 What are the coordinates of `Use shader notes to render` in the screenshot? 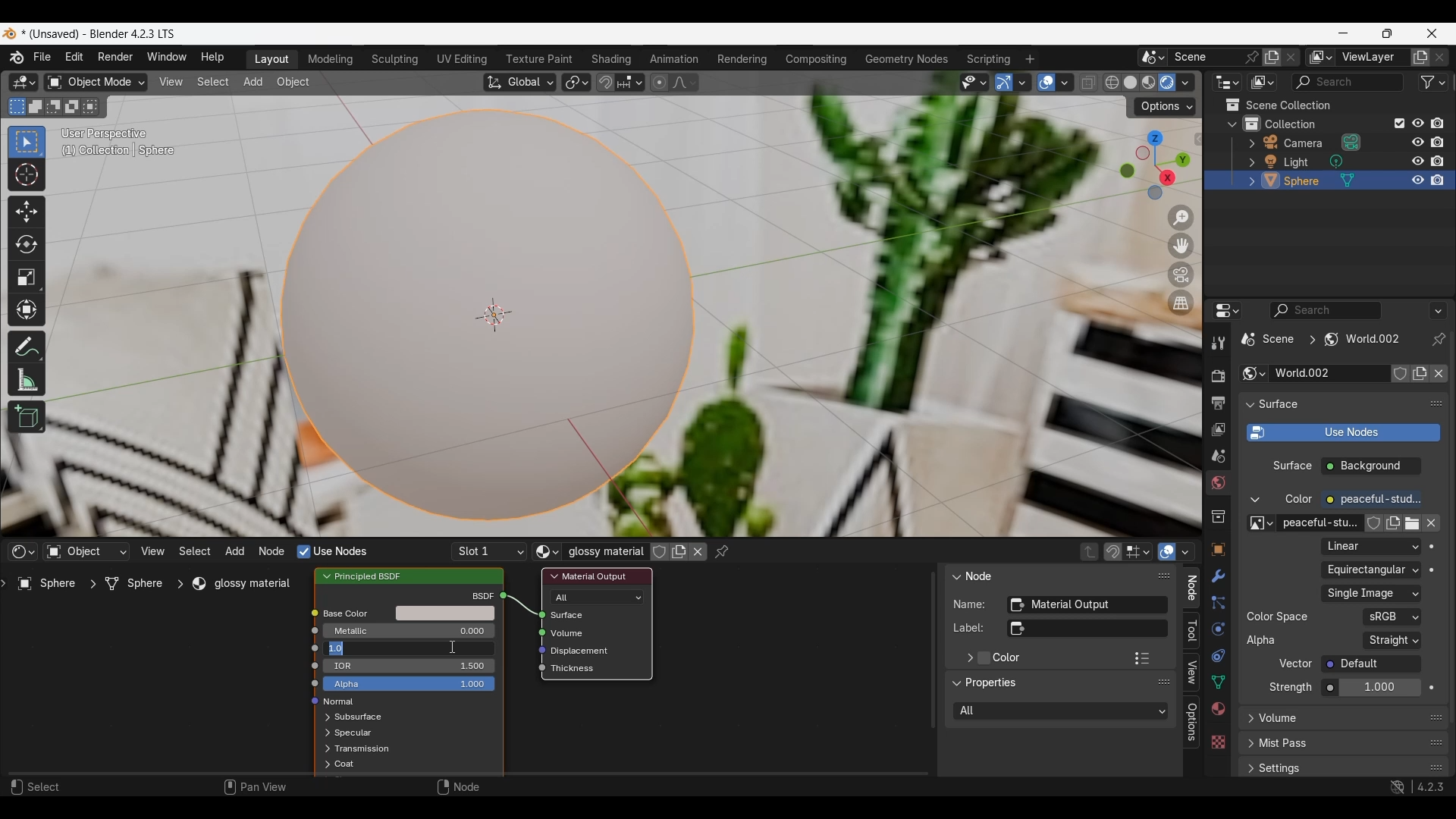 It's located at (1343, 433).